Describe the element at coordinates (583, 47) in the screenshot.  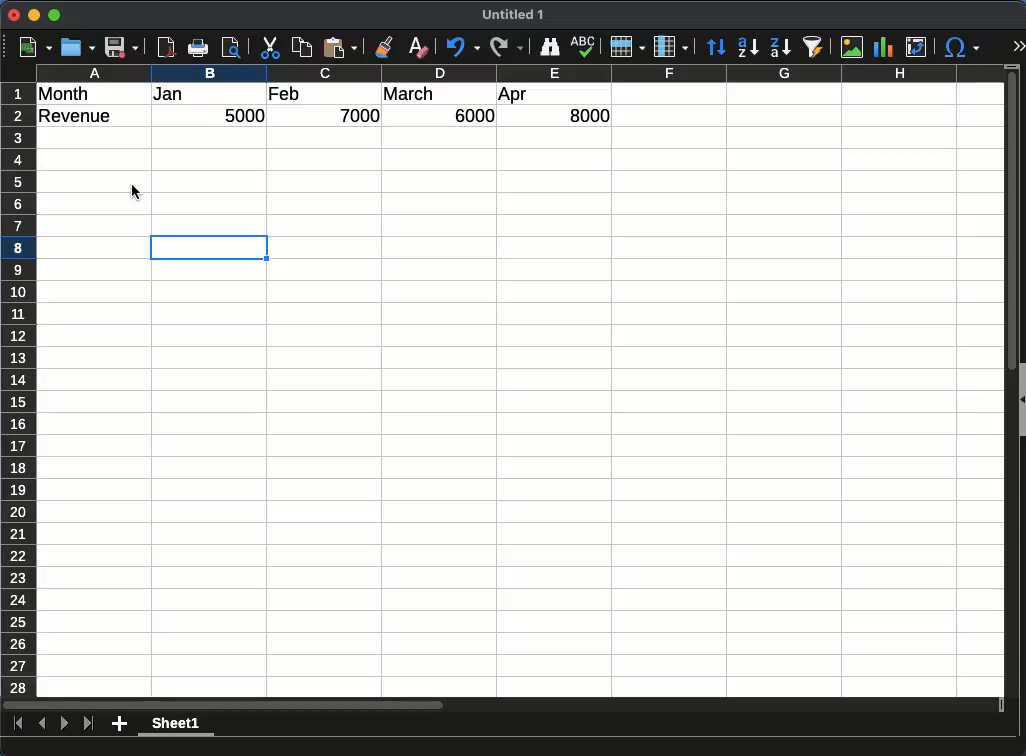
I see `sketch` at that location.